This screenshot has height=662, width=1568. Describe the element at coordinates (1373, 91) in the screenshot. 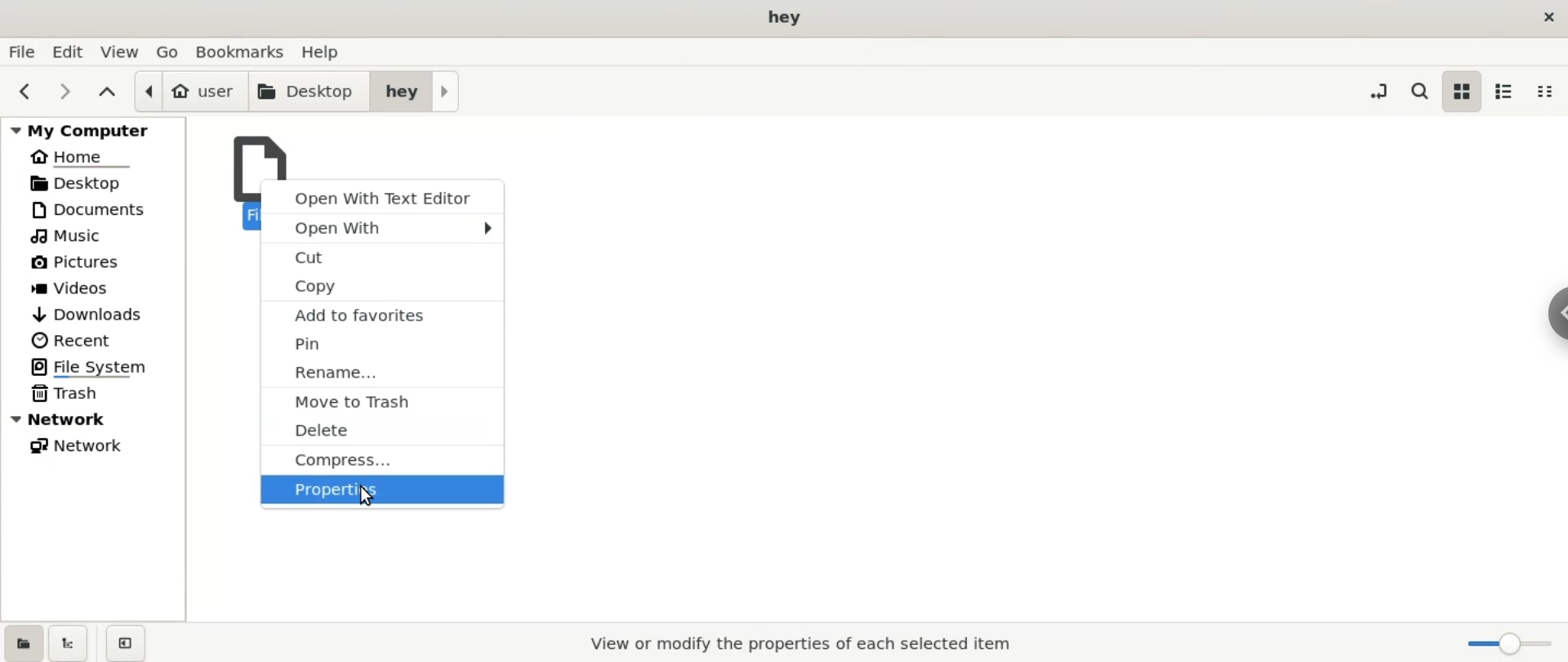

I see `toggle location entry` at that location.